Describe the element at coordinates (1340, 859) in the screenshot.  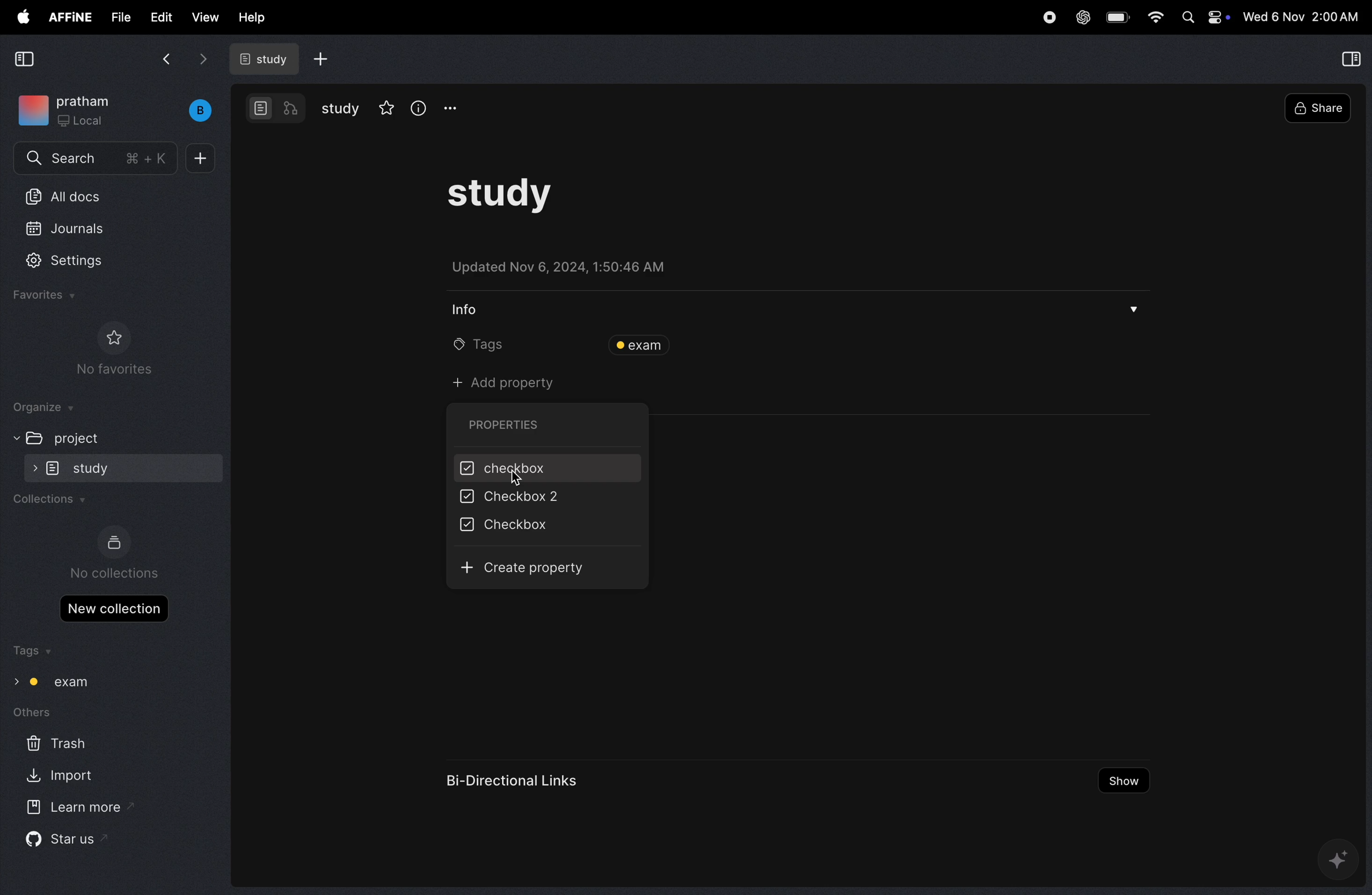
I see `gemini` at that location.